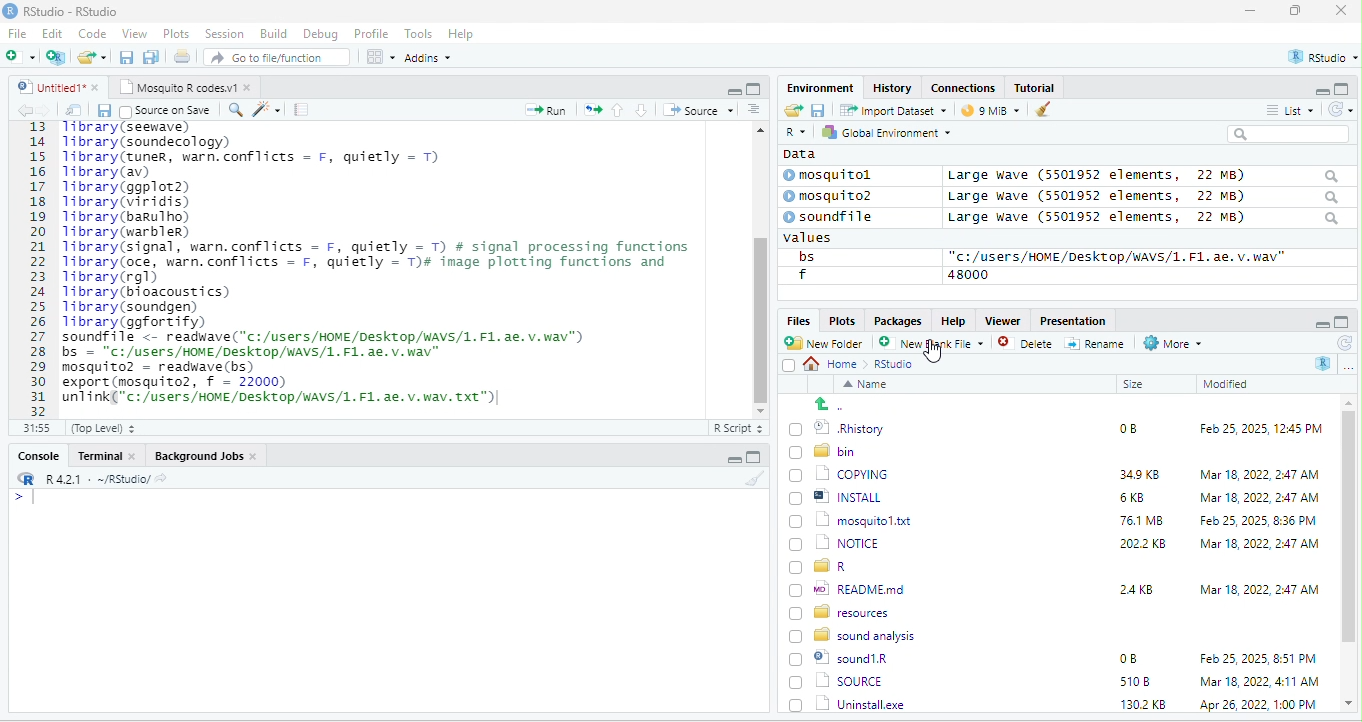 This screenshot has width=1362, height=722. Describe the element at coordinates (848, 681) in the screenshot. I see `| SOURCE` at that location.